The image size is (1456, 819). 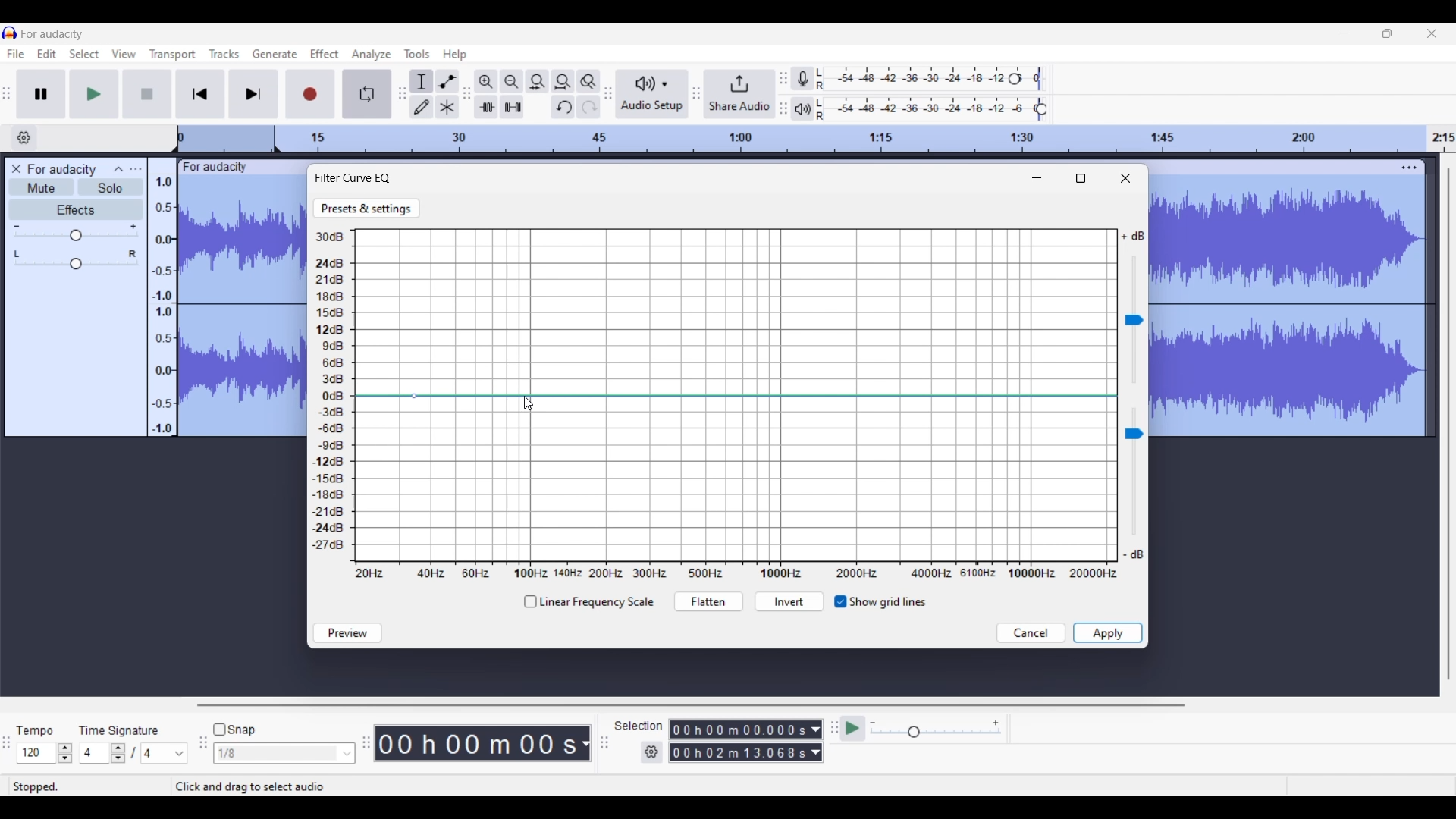 I want to click on Delete track, so click(x=18, y=169).